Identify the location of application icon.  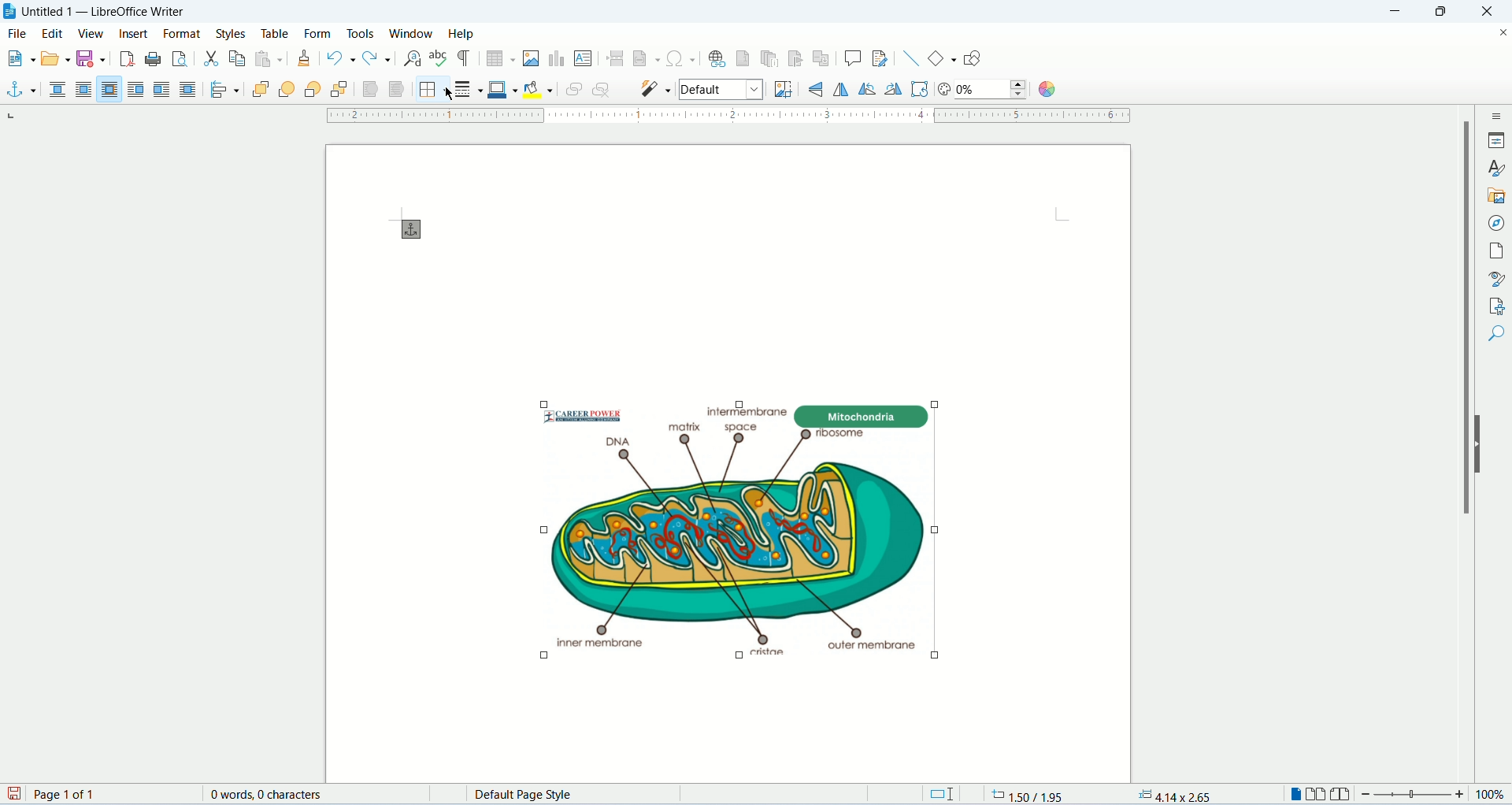
(10, 10).